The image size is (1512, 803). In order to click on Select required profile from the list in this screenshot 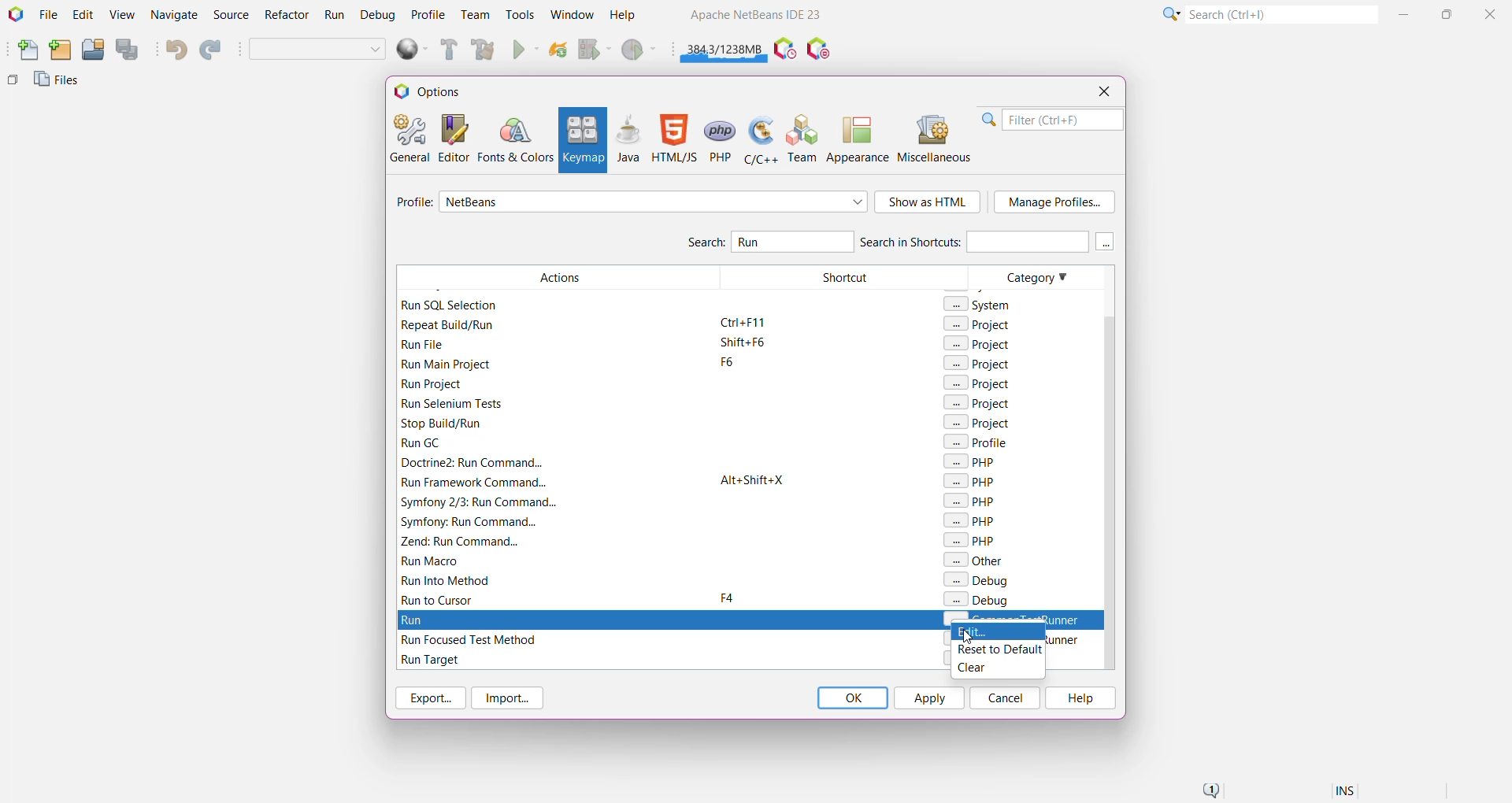, I will do `click(654, 202)`.